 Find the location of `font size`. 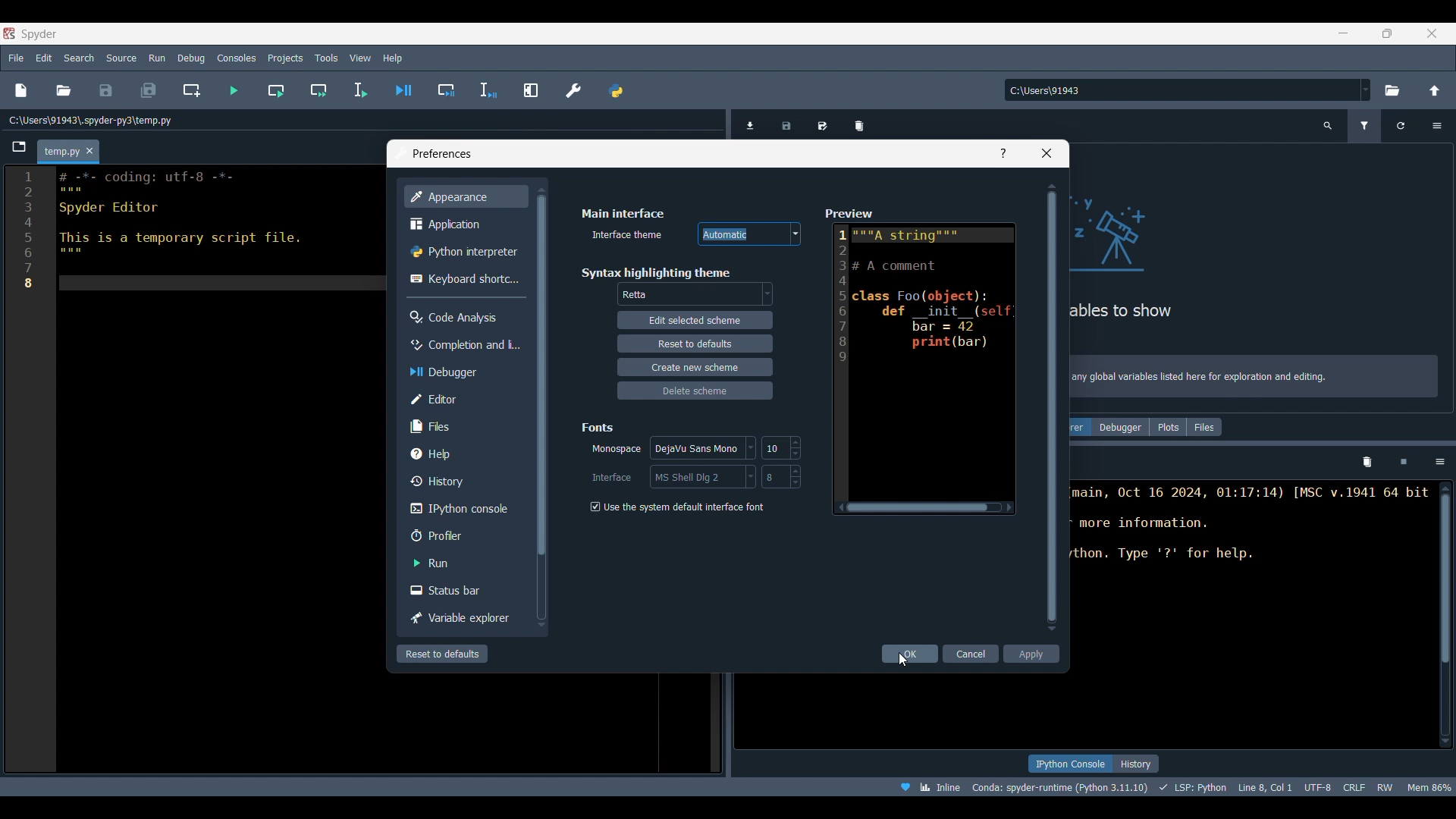

font size is located at coordinates (781, 476).